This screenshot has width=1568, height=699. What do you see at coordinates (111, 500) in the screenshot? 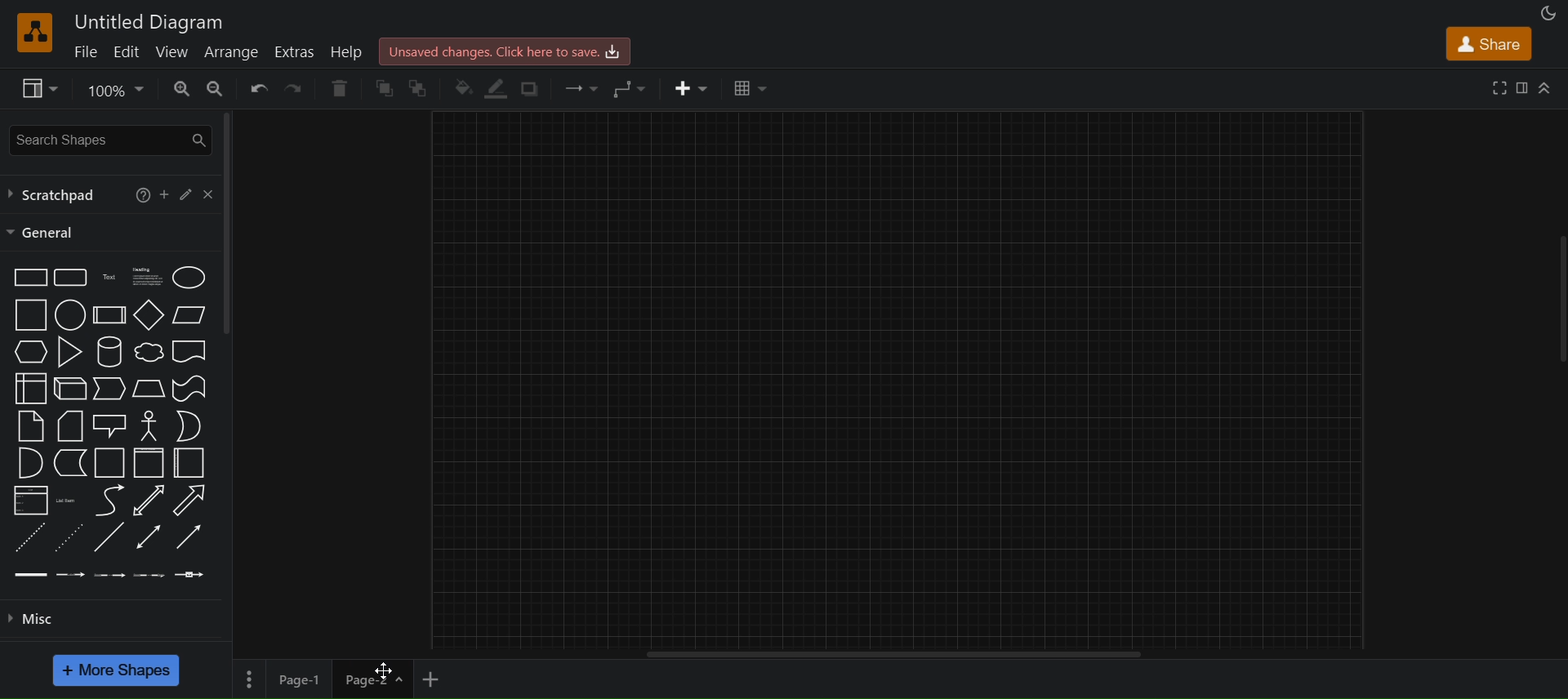
I see `curve` at bounding box center [111, 500].